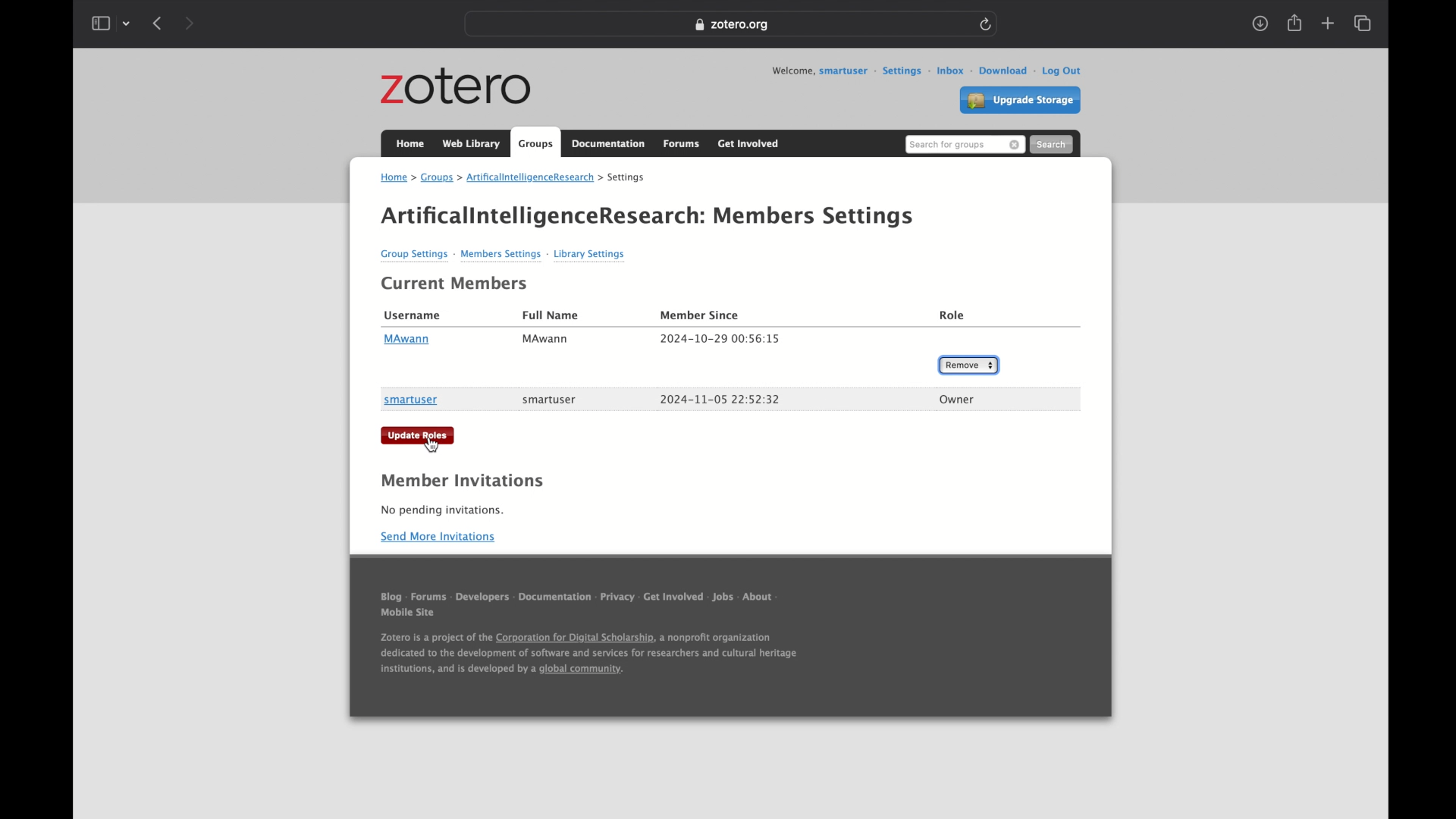 The height and width of the screenshot is (819, 1456). What do you see at coordinates (455, 284) in the screenshot?
I see `current members` at bounding box center [455, 284].